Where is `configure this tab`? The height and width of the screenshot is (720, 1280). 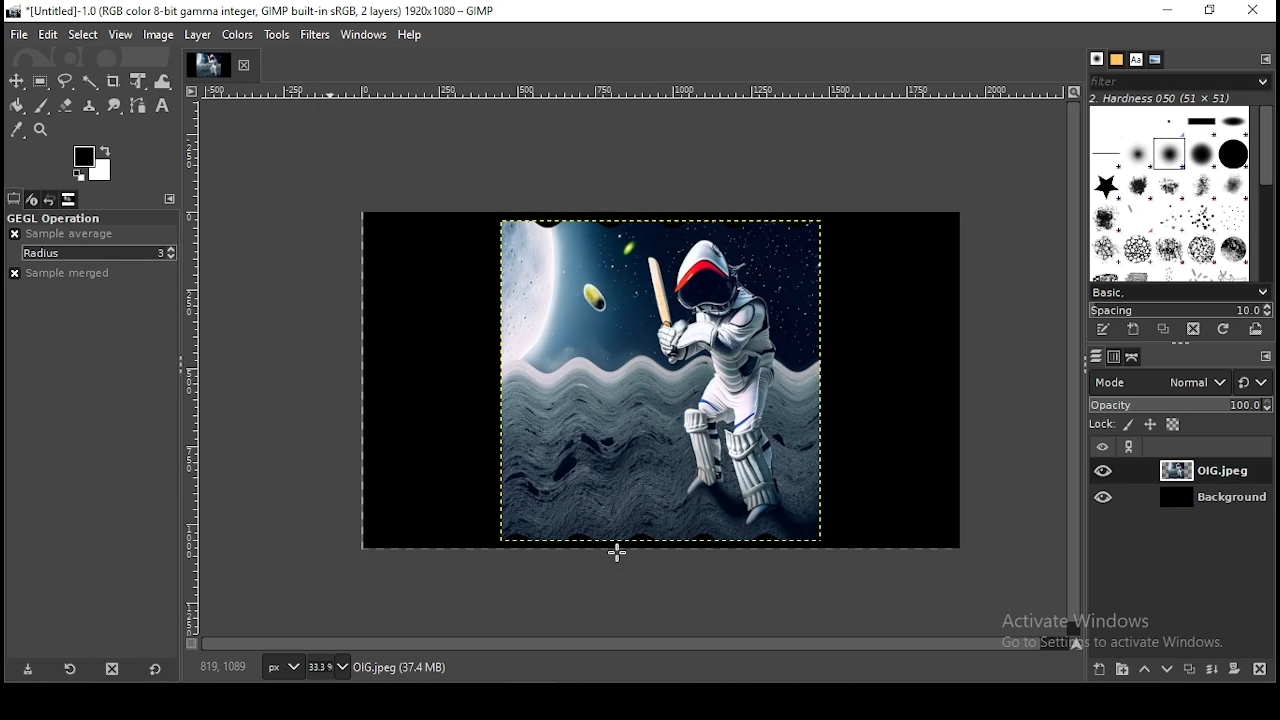
configure this tab is located at coordinates (170, 199).